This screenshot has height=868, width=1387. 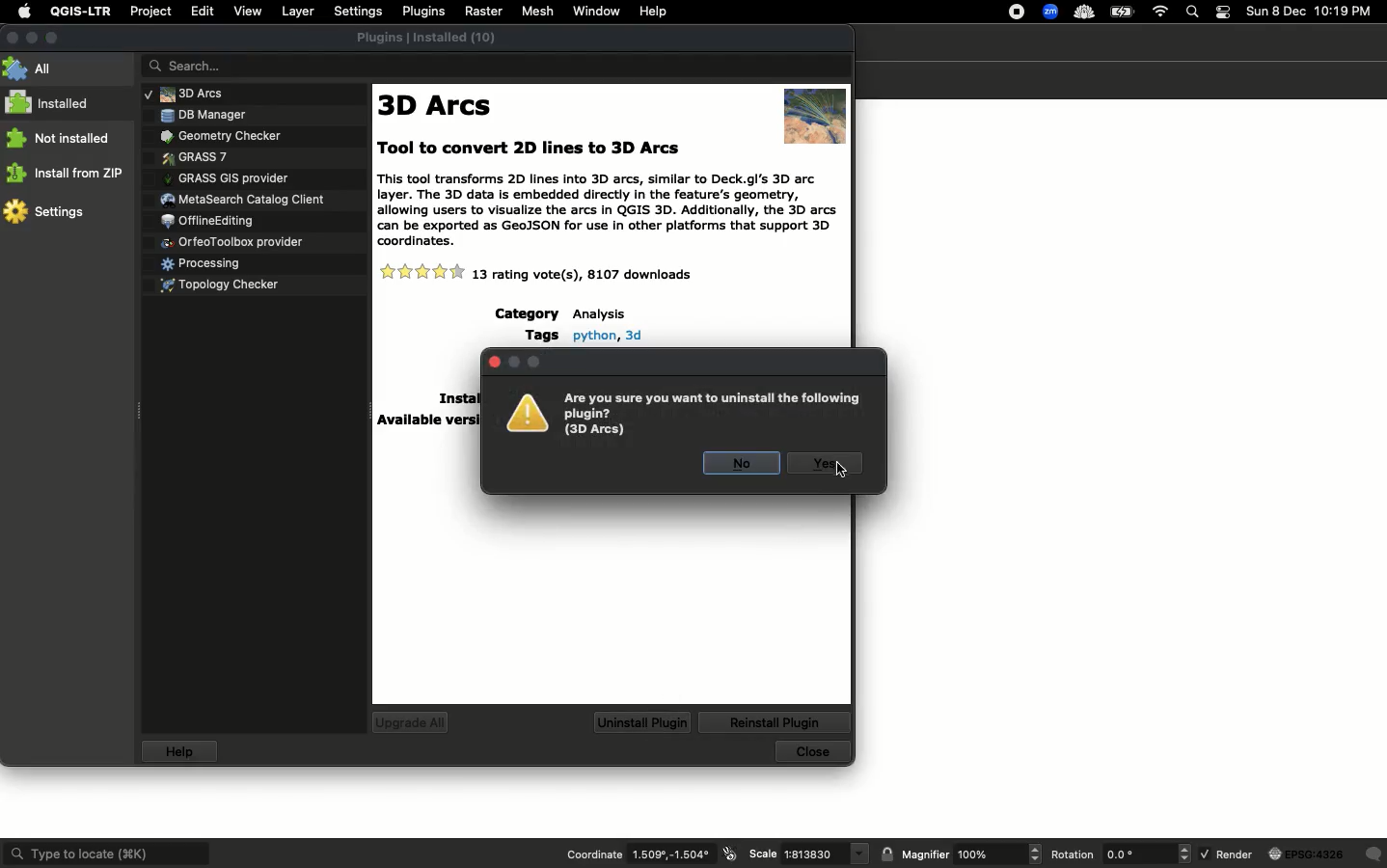 I want to click on Window, so click(x=596, y=11).